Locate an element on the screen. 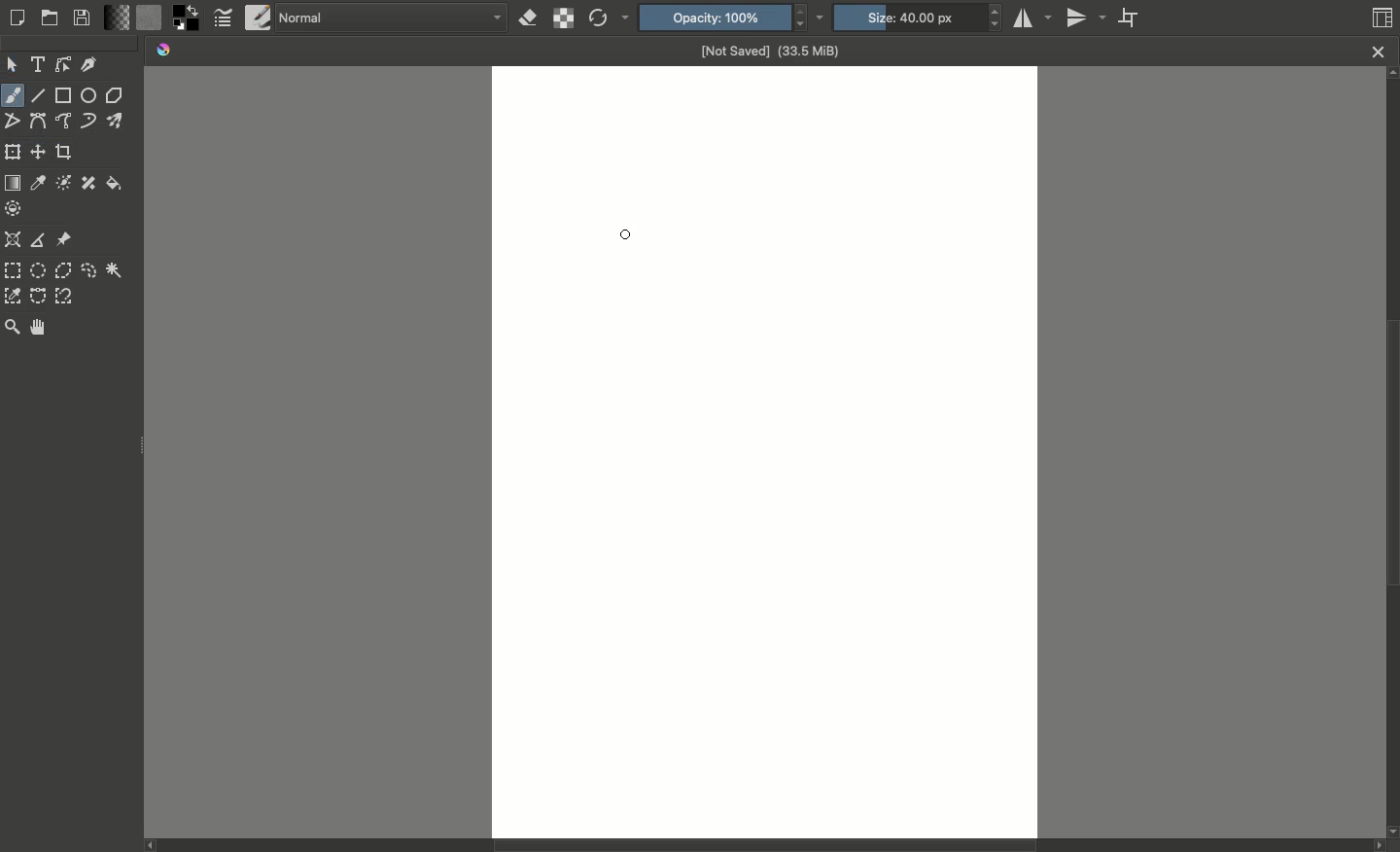 This screenshot has width=1400, height=852. Calligraphy is located at coordinates (90, 63).